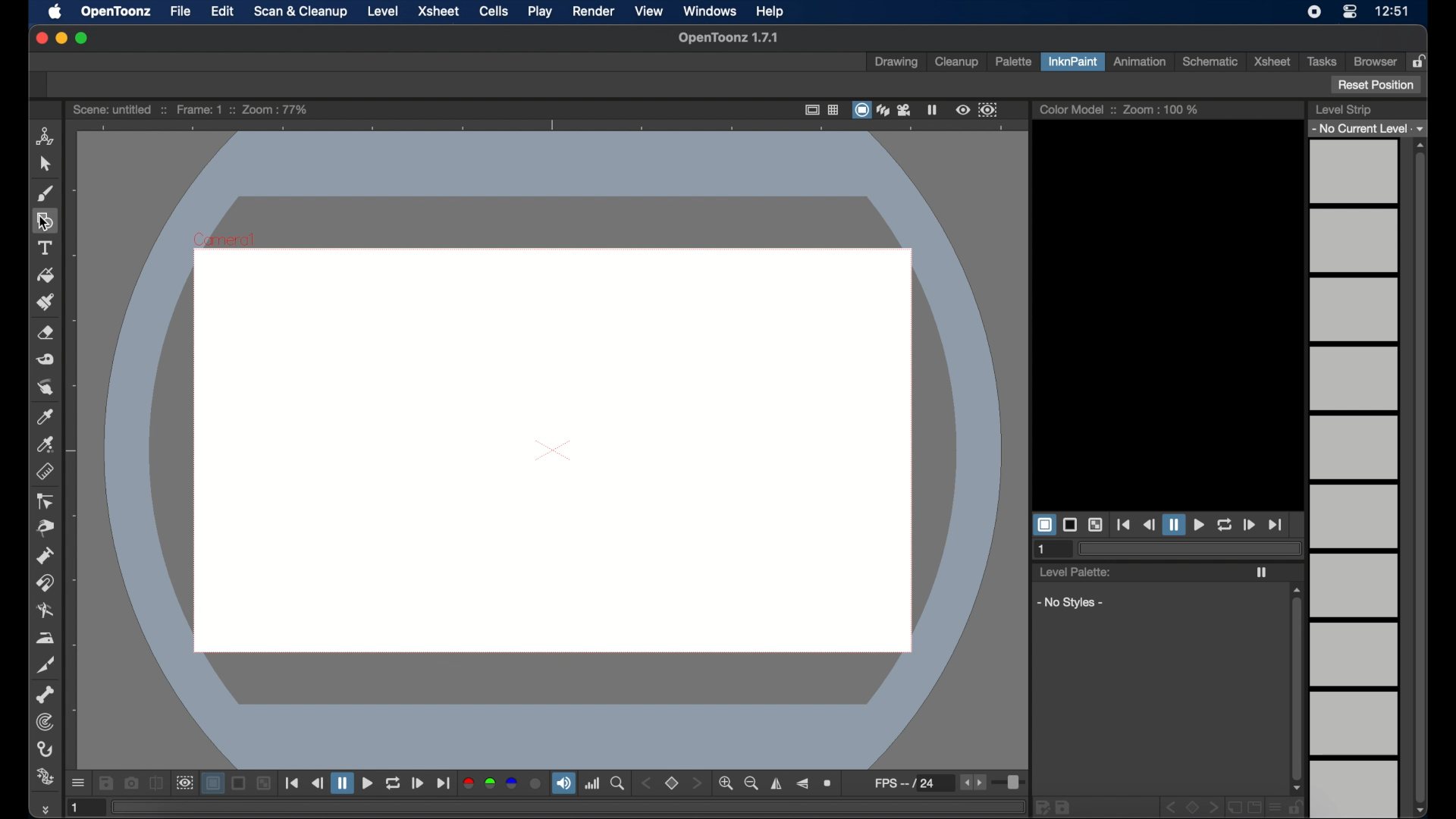 This screenshot has width=1456, height=819. I want to click on scroll down arrow, so click(1425, 811).